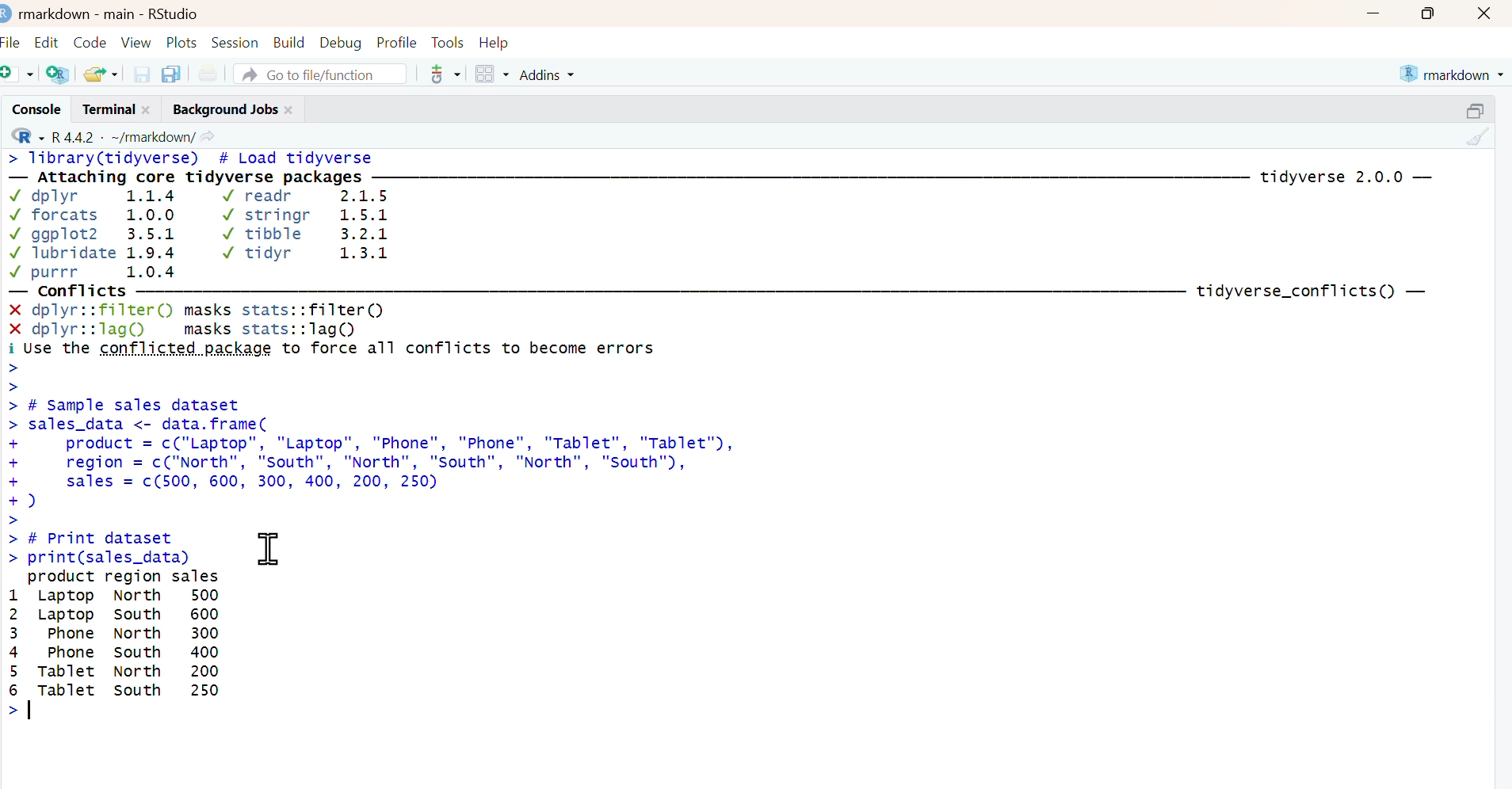 This screenshot has height=789, width=1512. What do you see at coordinates (48, 39) in the screenshot?
I see `Edit` at bounding box center [48, 39].